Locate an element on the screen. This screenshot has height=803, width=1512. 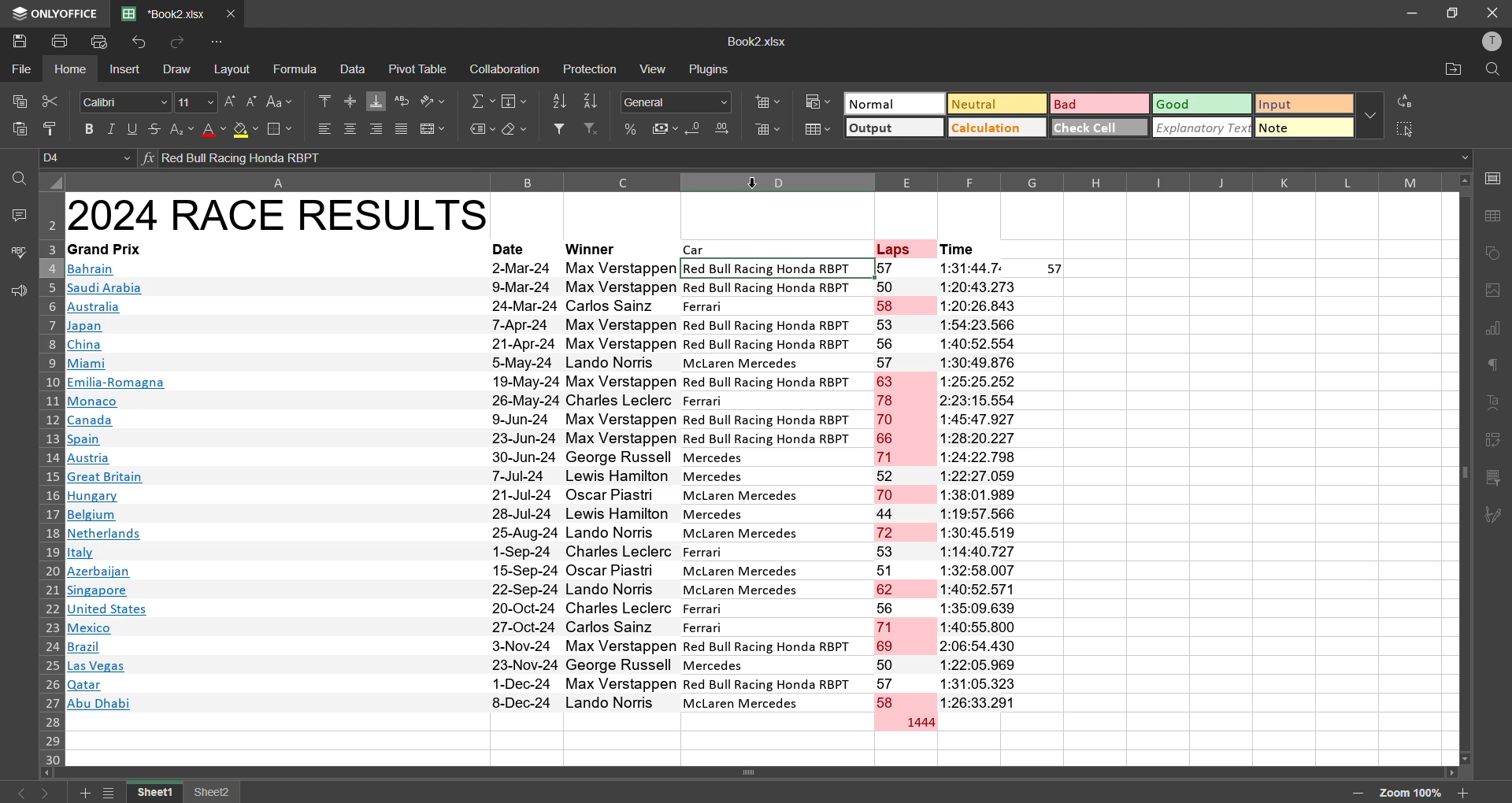
font size is located at coordinates (194, 101).